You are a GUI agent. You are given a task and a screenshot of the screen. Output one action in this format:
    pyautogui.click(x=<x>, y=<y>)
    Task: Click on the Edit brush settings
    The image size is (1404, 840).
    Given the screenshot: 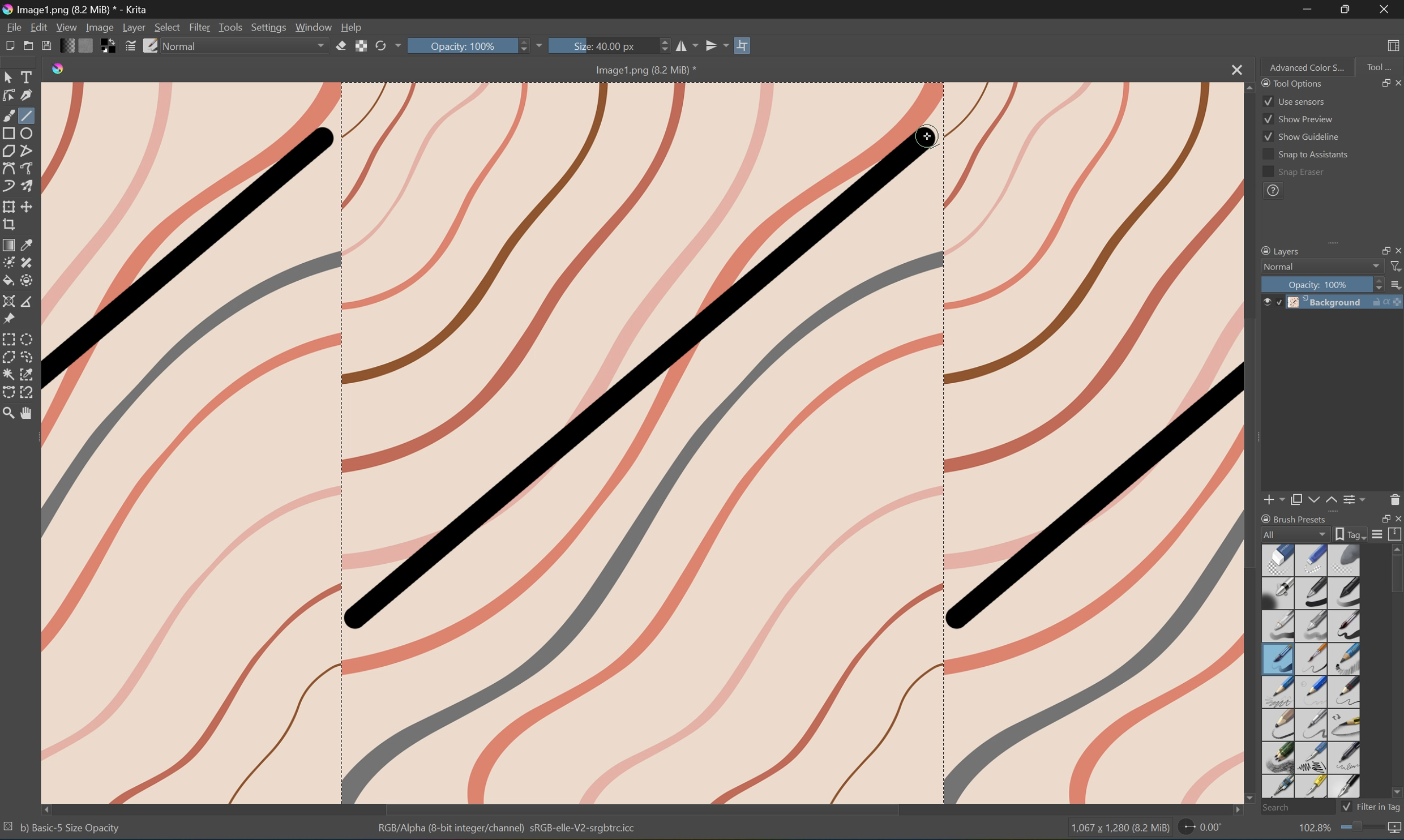 What is the action you would take?
    pyautogui.click(x=129, y=48)
    